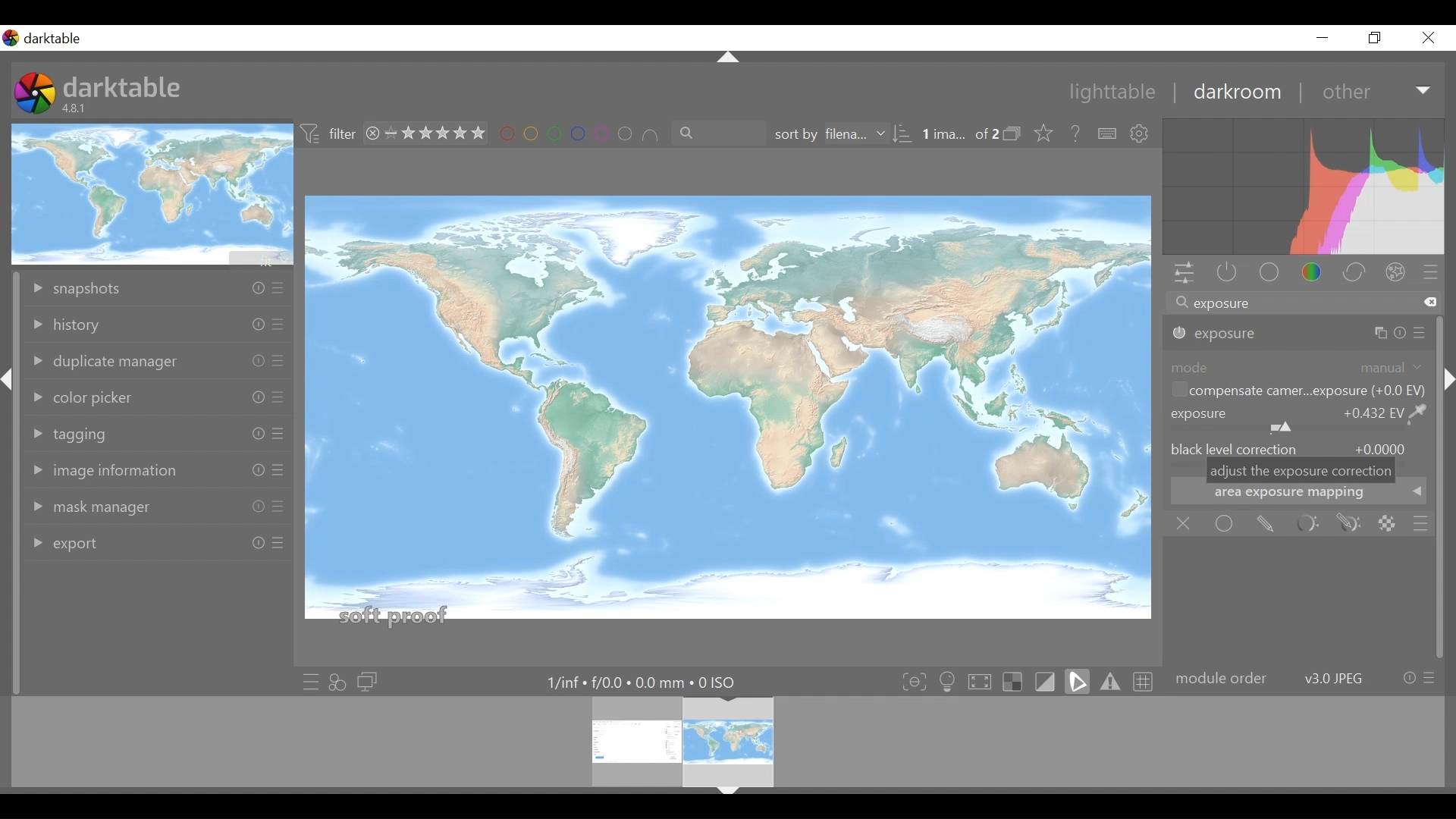  Describe the element at coordinates (1301, 419) in the screenshot. I see `exposure correction` at that location.